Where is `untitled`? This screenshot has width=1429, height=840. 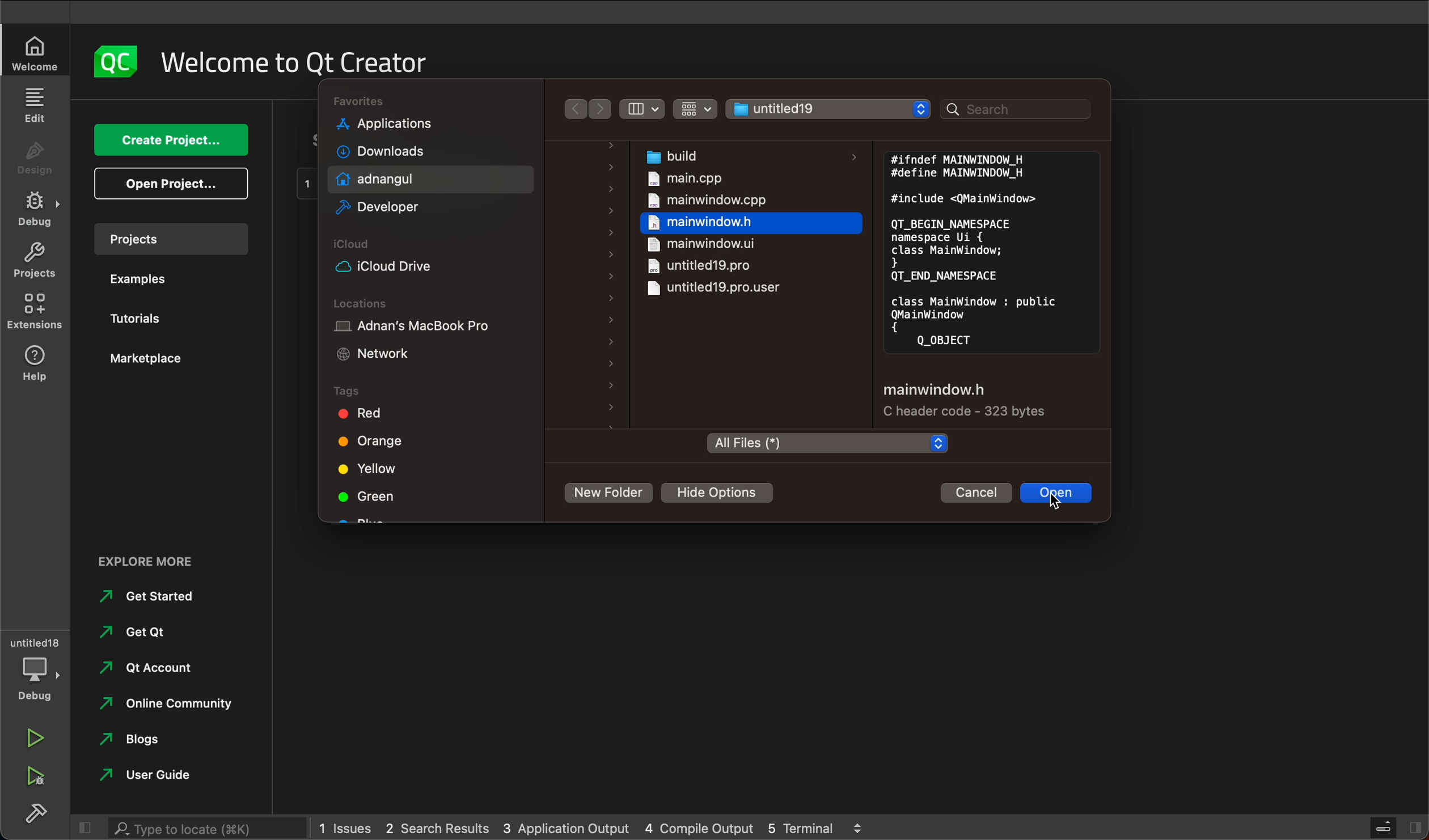 untitled is located at coordinates (34, 642).